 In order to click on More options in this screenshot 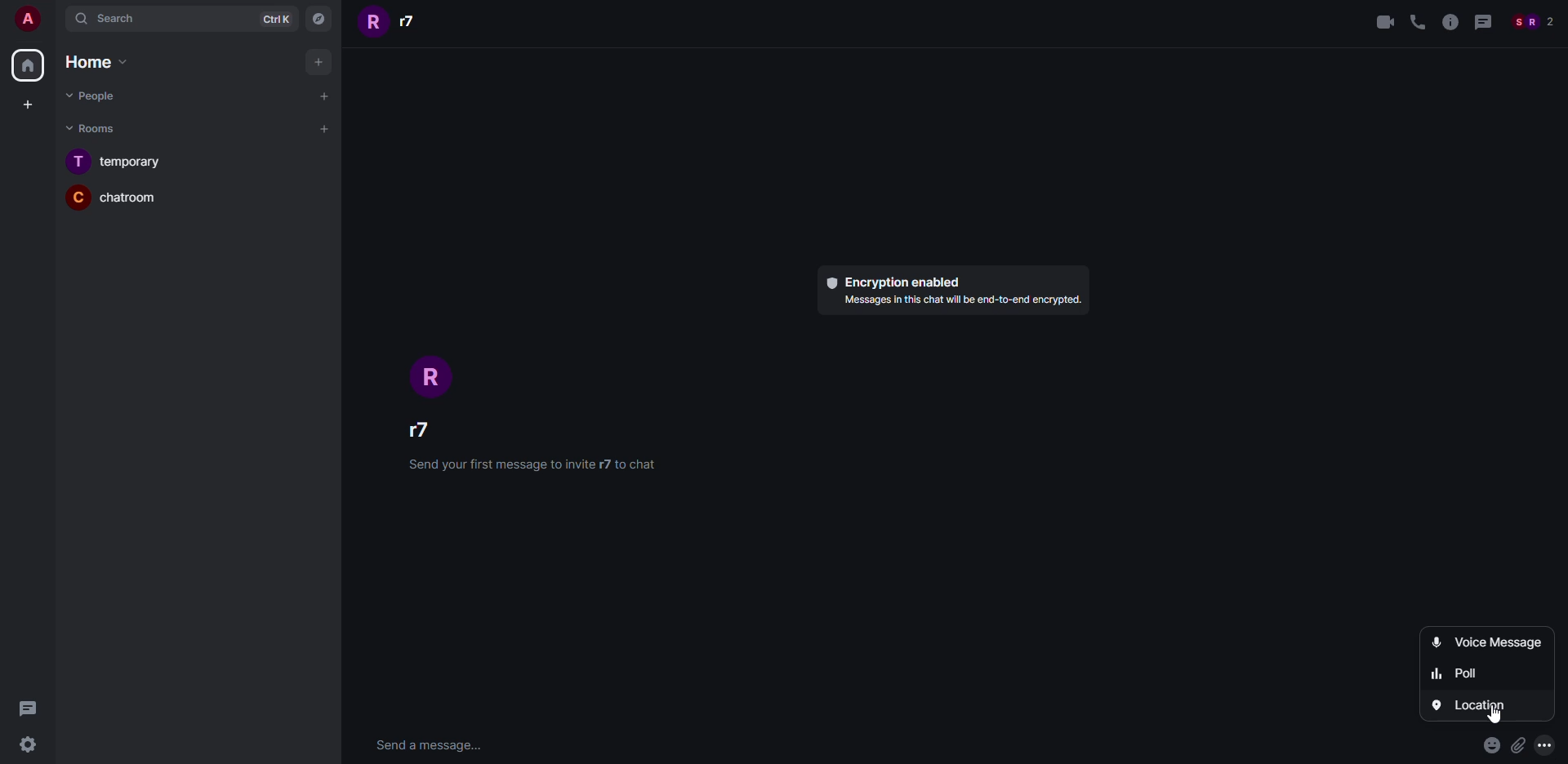, I will do `click(1546, 744)`.